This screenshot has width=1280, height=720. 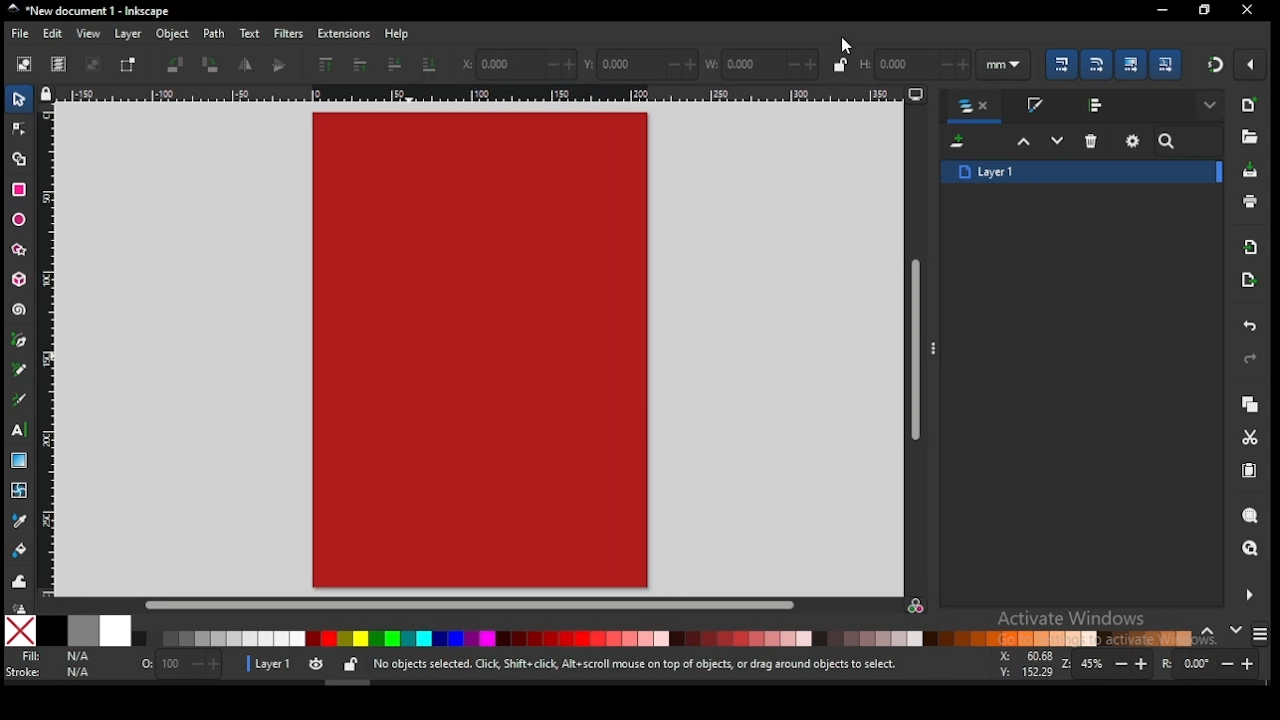 I want to click on print, so click(x=1250, y=202).